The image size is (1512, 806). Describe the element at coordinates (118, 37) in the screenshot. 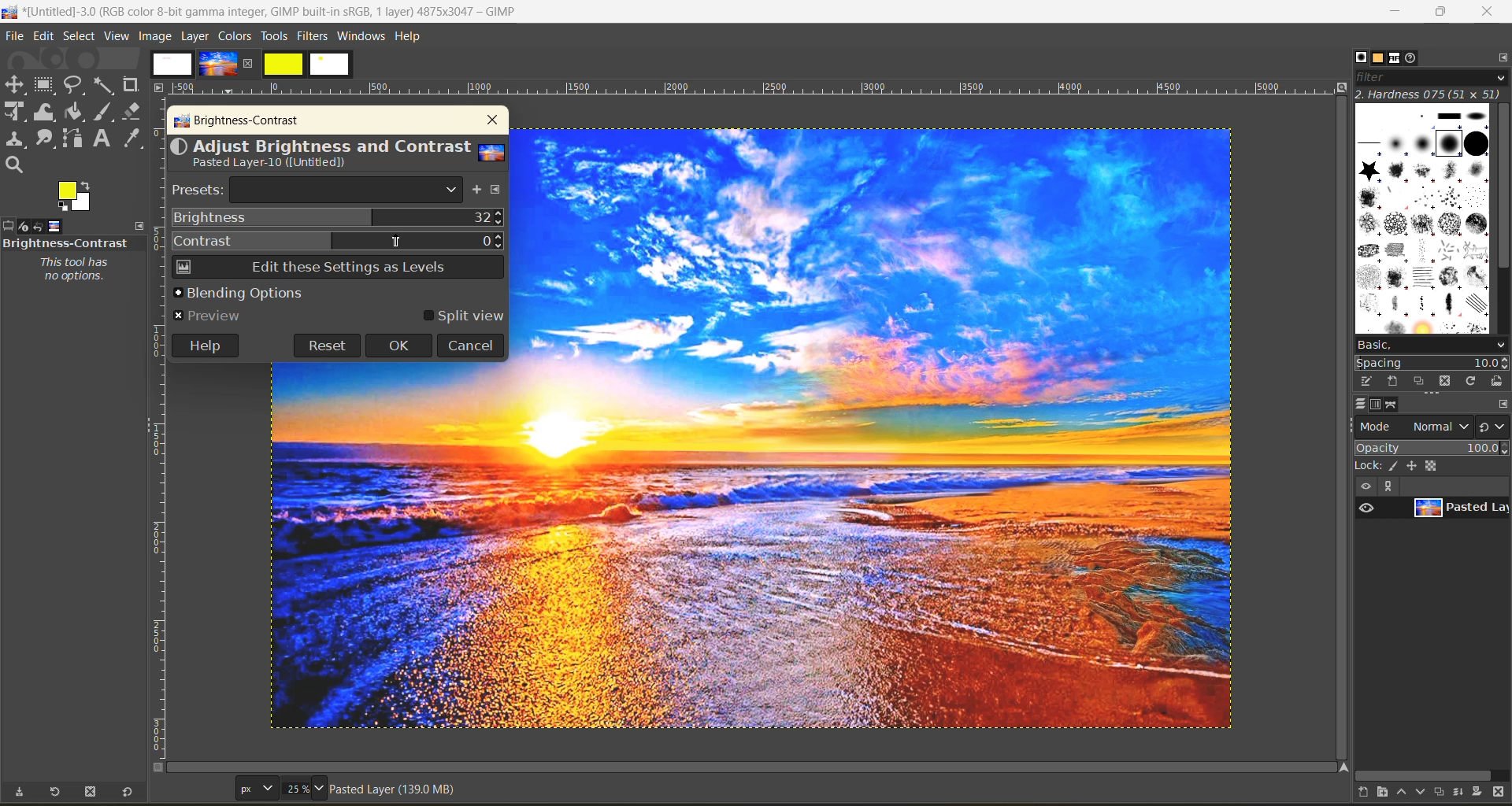

I see `view` at that location.